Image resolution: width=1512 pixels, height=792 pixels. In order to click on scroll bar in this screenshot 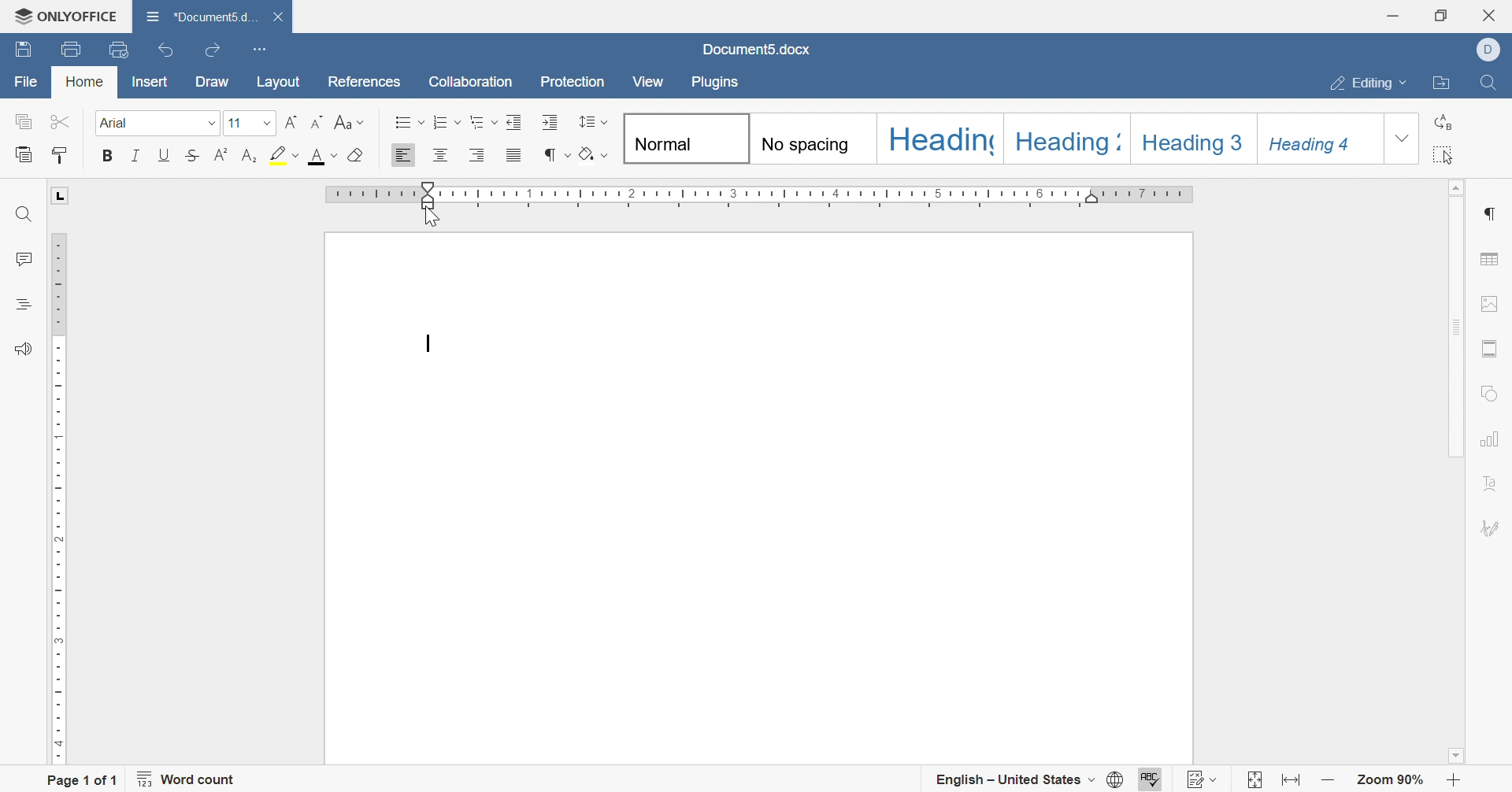, I will do `click(1459, 325)`.